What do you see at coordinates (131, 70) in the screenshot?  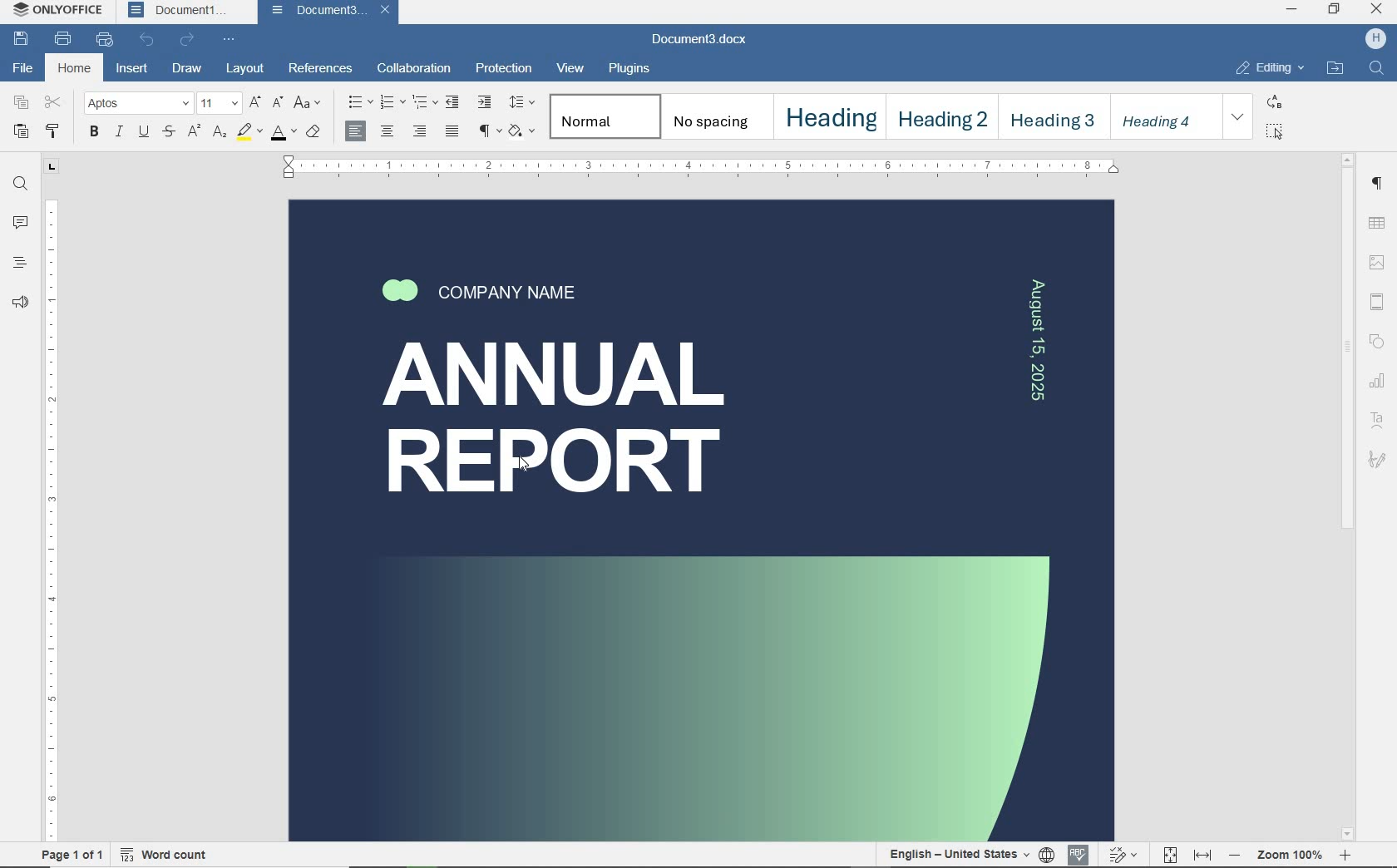 I see `insert` at bounding box center [131, 70].